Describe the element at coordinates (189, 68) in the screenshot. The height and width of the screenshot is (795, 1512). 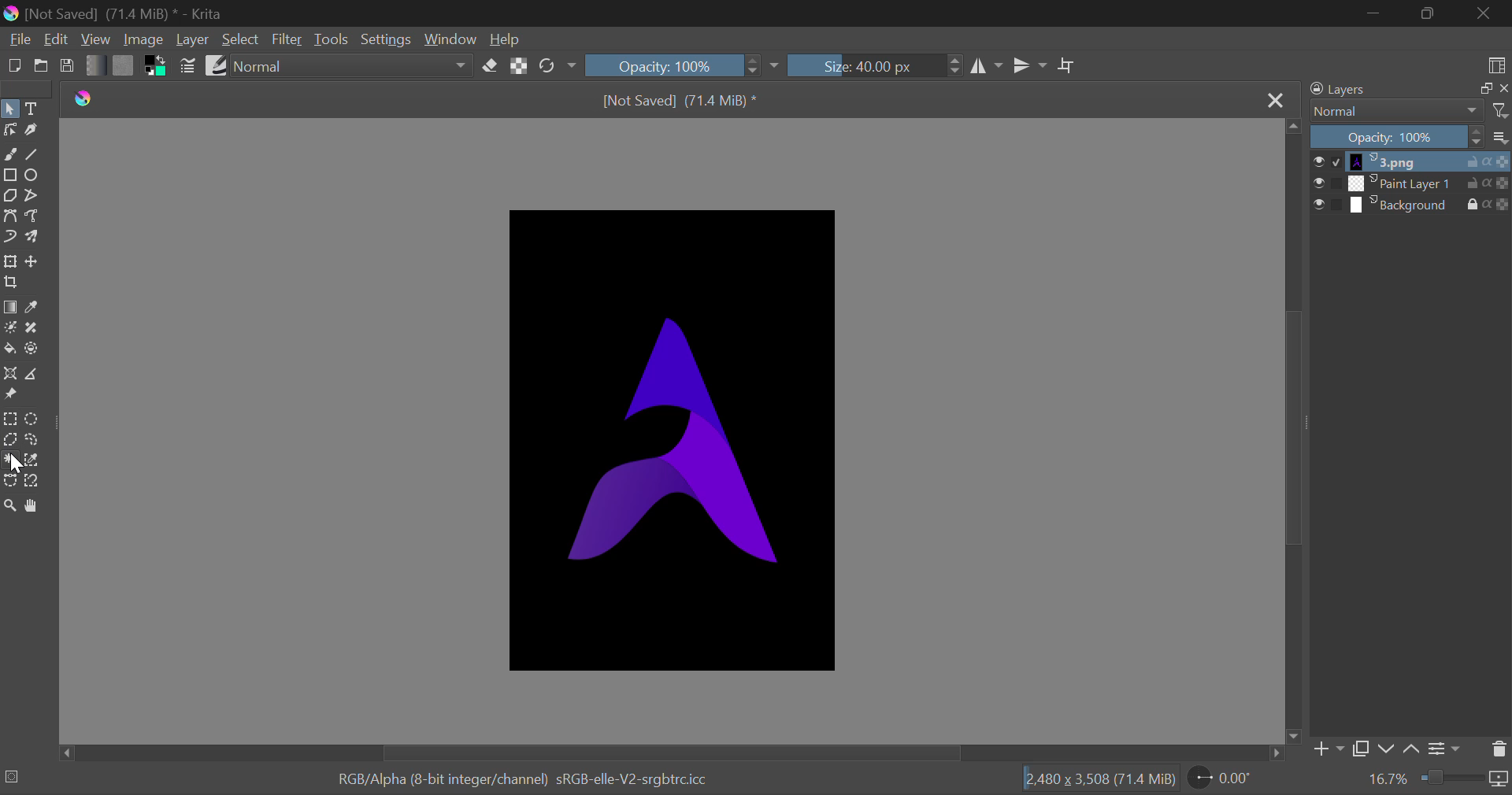
I see `Brush Settings` at that location.